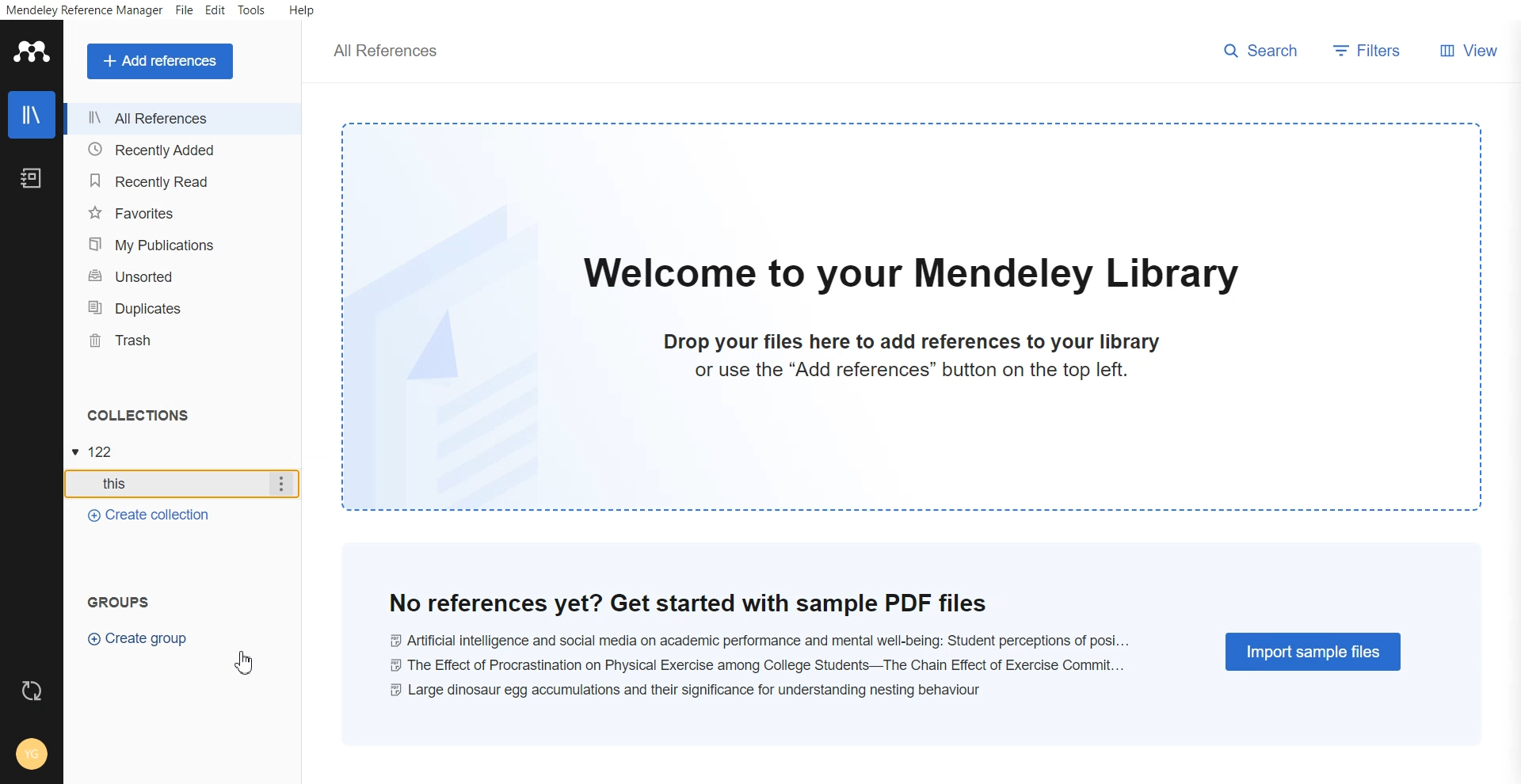 The width and height of the screenshot is (1521, 784). What do you see at coordinates (915, 371) in the screenshot?
I see `or use the "Add references" button on the top left.` at bounding box center [915, 371].